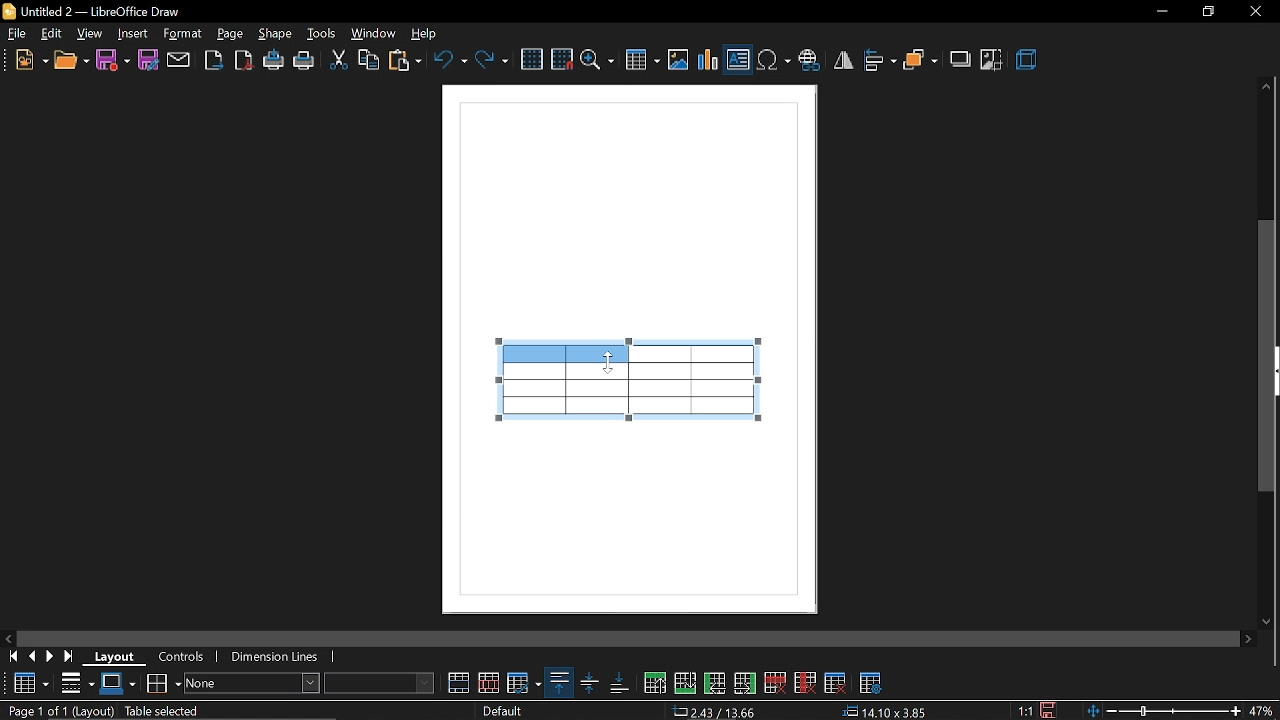  What do you see at coordinates (51, 656) in the screenshot?
I see `next page` at bounding box center [51, 656].